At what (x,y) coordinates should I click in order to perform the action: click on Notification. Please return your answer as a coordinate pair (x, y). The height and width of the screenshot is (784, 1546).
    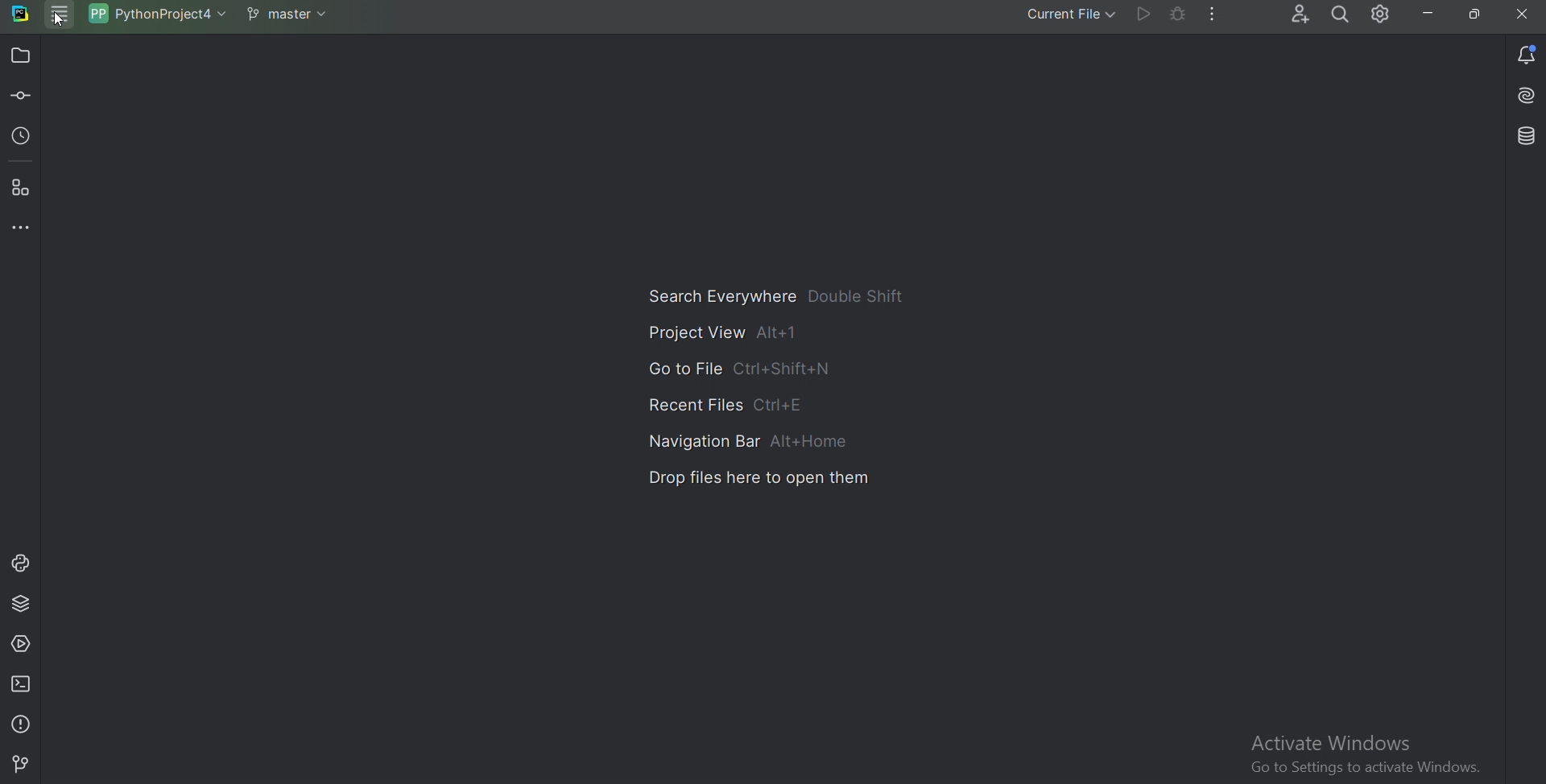
    Looking at the image, I should click on (1523, 55).